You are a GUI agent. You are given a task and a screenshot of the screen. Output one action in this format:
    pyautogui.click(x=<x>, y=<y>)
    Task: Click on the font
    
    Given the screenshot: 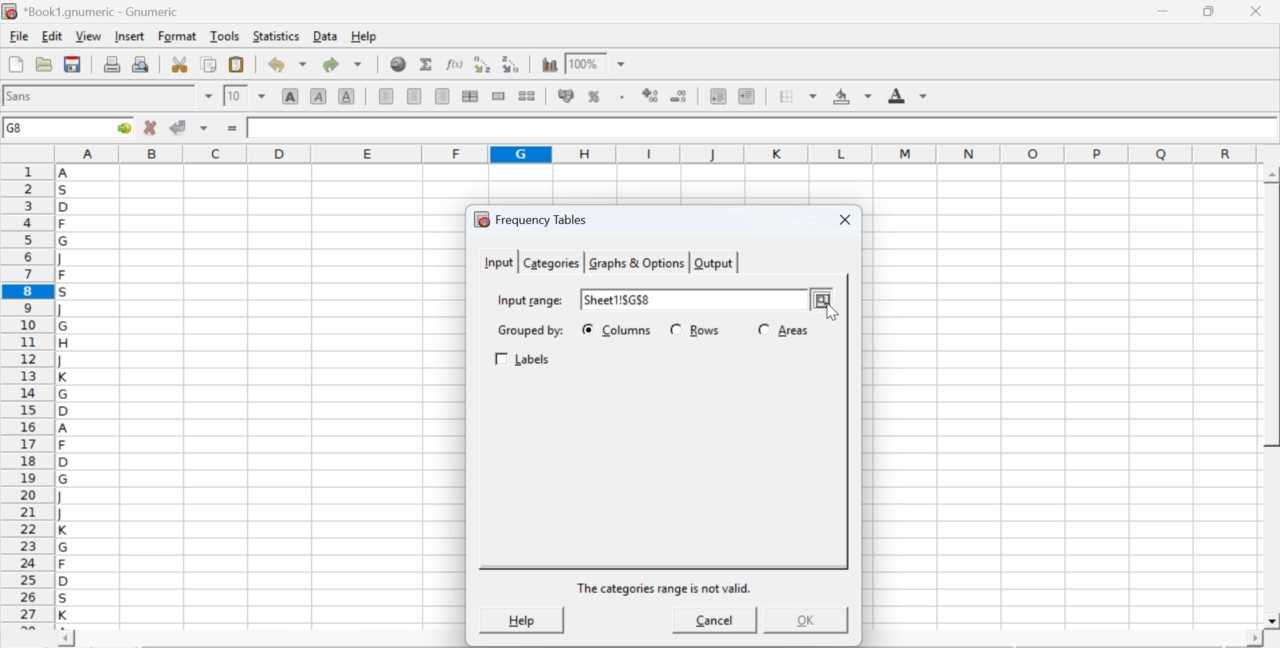 What is the action you would take?
    pyautogui.click(x=22, y=95)
    